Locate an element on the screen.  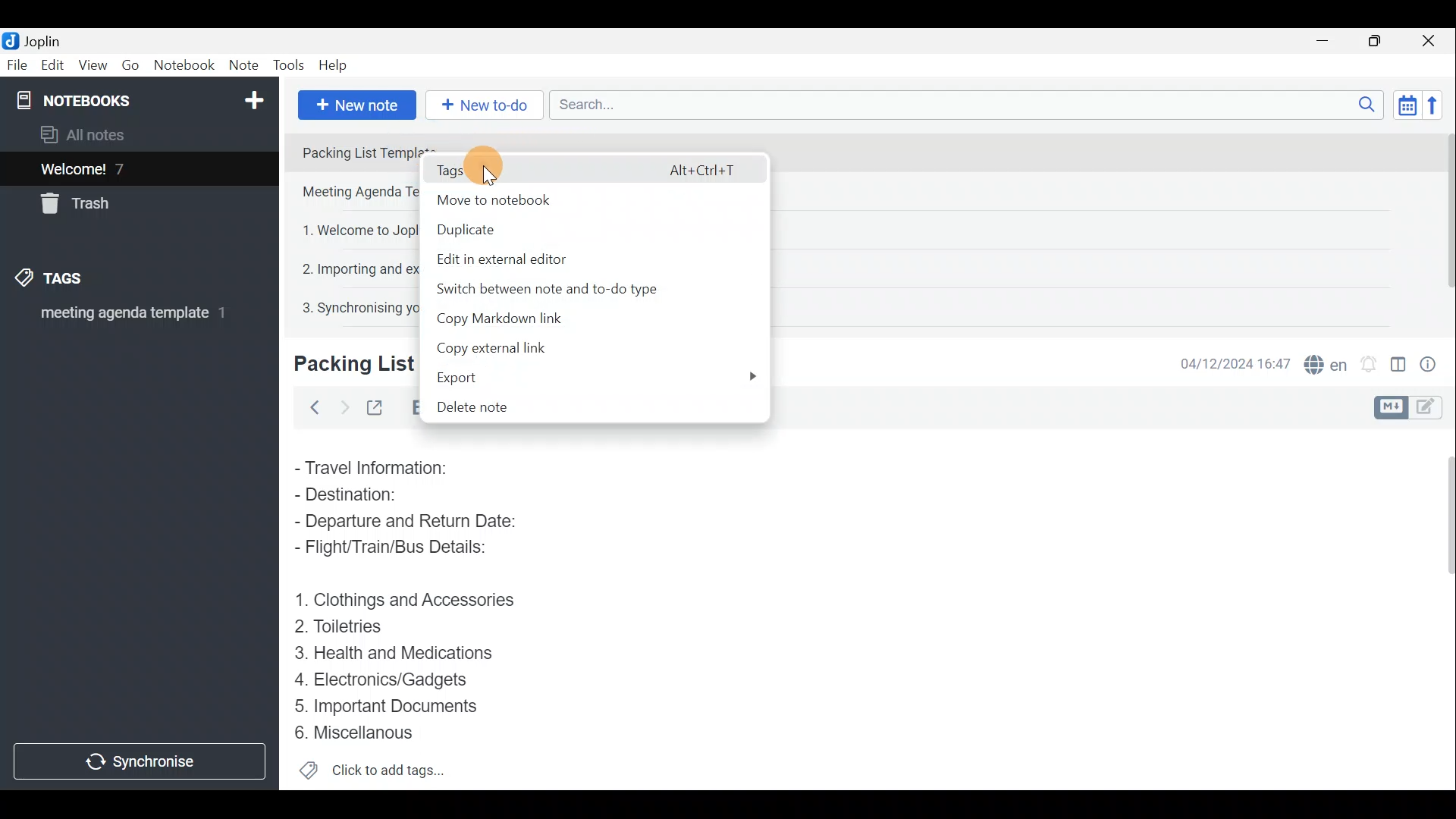
Flight/Train/Bus Details: is located at coordinates (406, 551).